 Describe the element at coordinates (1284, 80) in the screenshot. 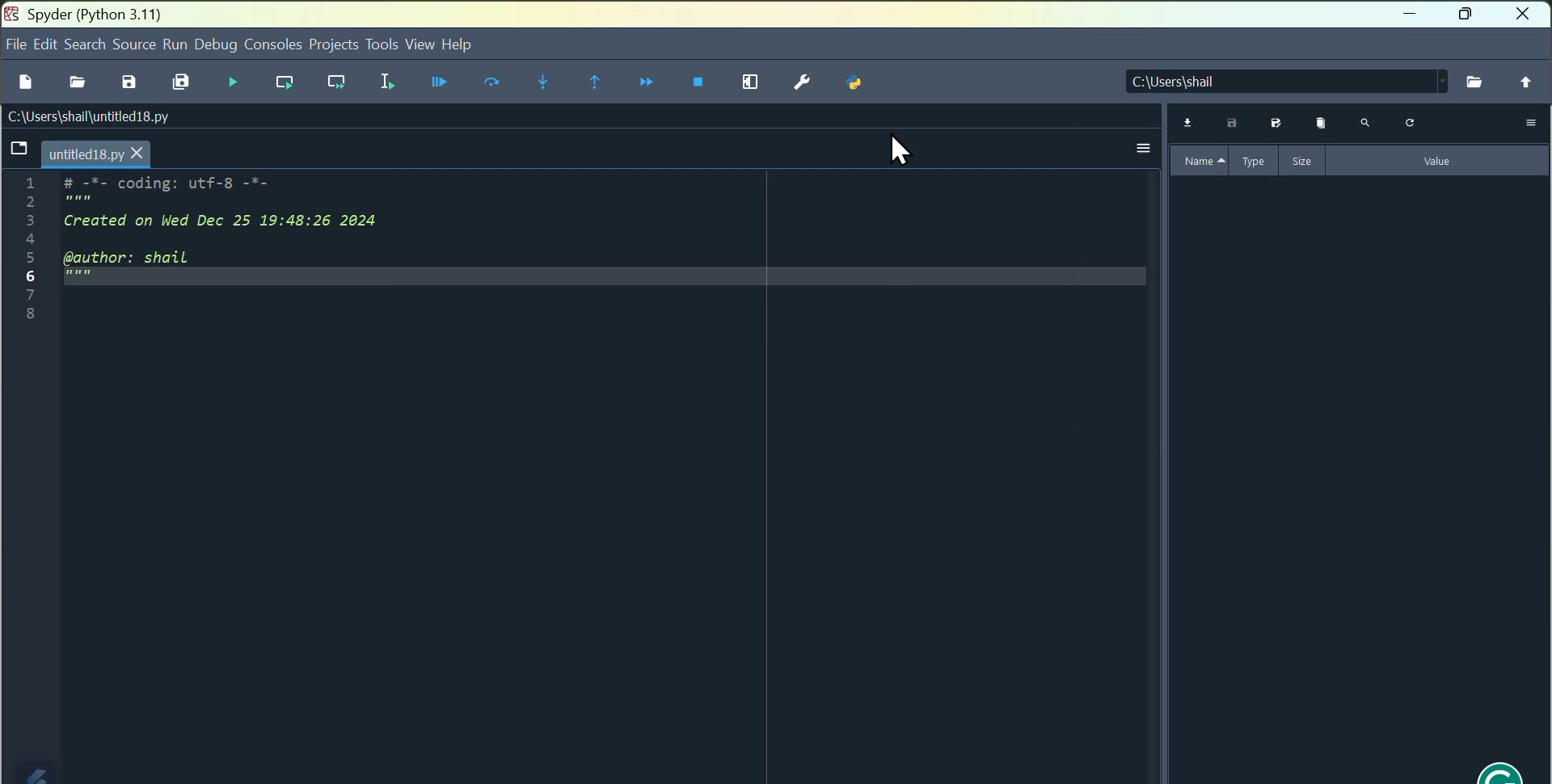

I see `C:\Users\Shail` at that location.